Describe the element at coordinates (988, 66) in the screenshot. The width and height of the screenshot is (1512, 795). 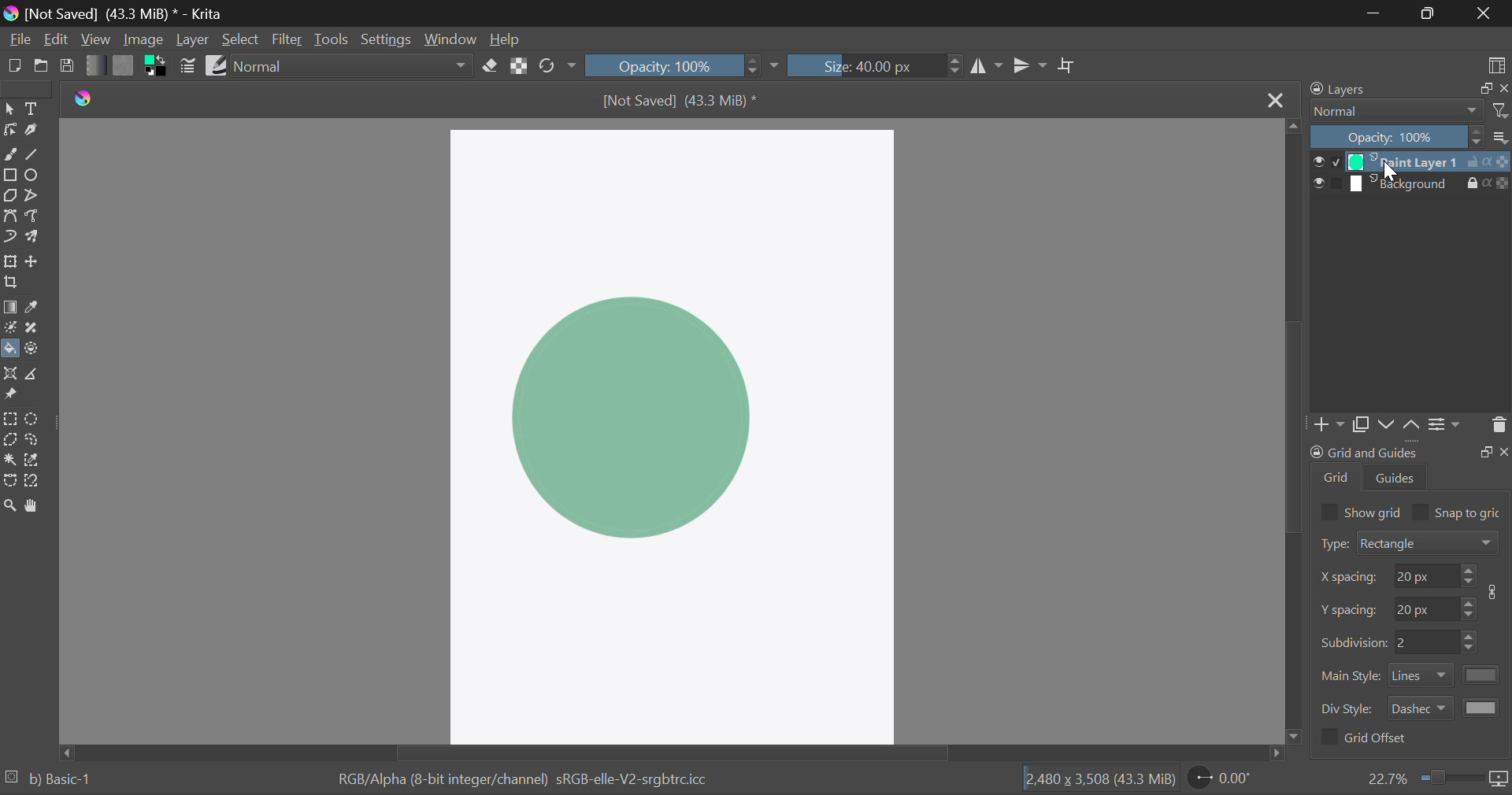
I see `Vertical Mirror Flip` at that location.